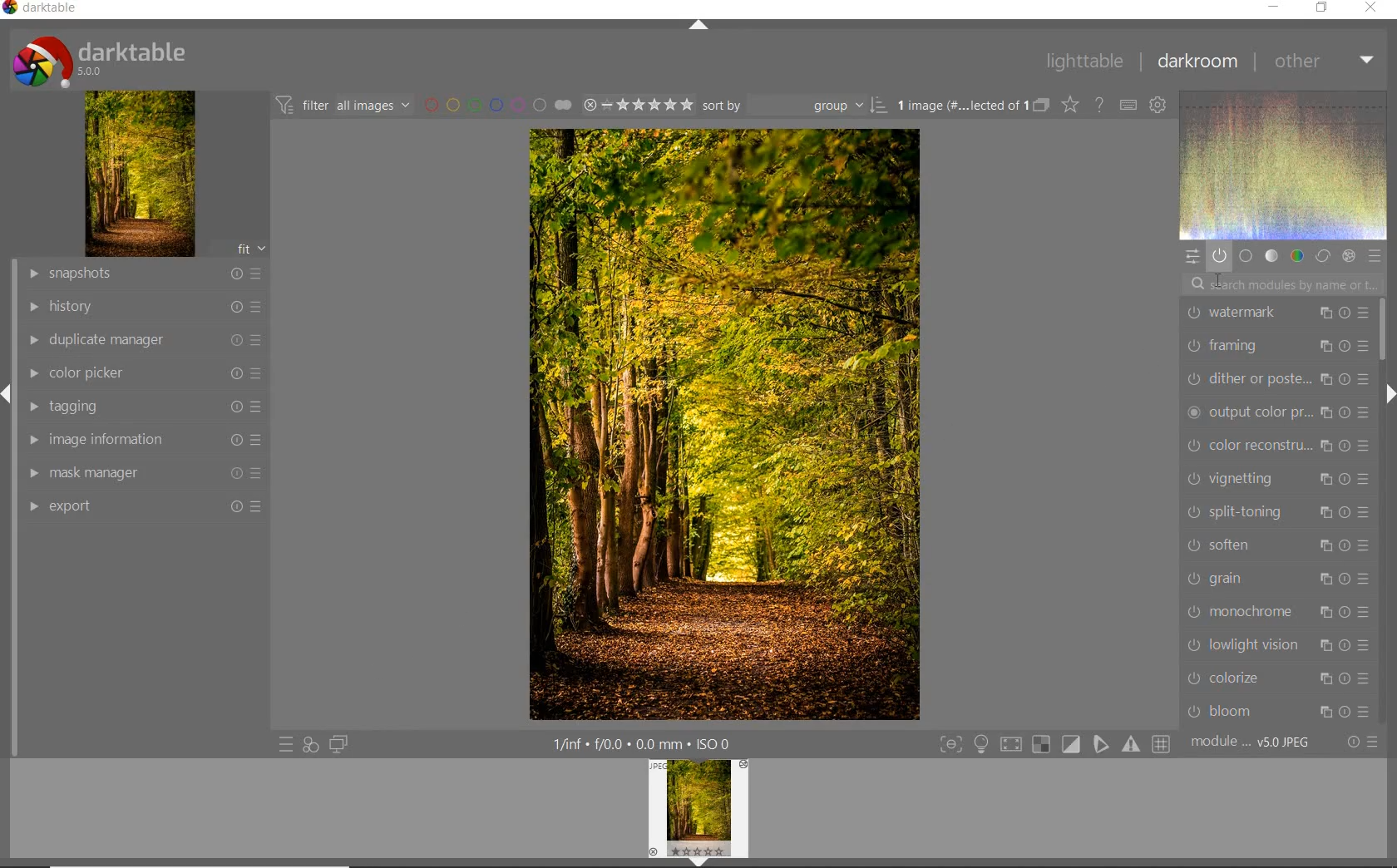 The width and height of the screenshot is (1397, 868). I want to click on search module, so click(1281, 287).